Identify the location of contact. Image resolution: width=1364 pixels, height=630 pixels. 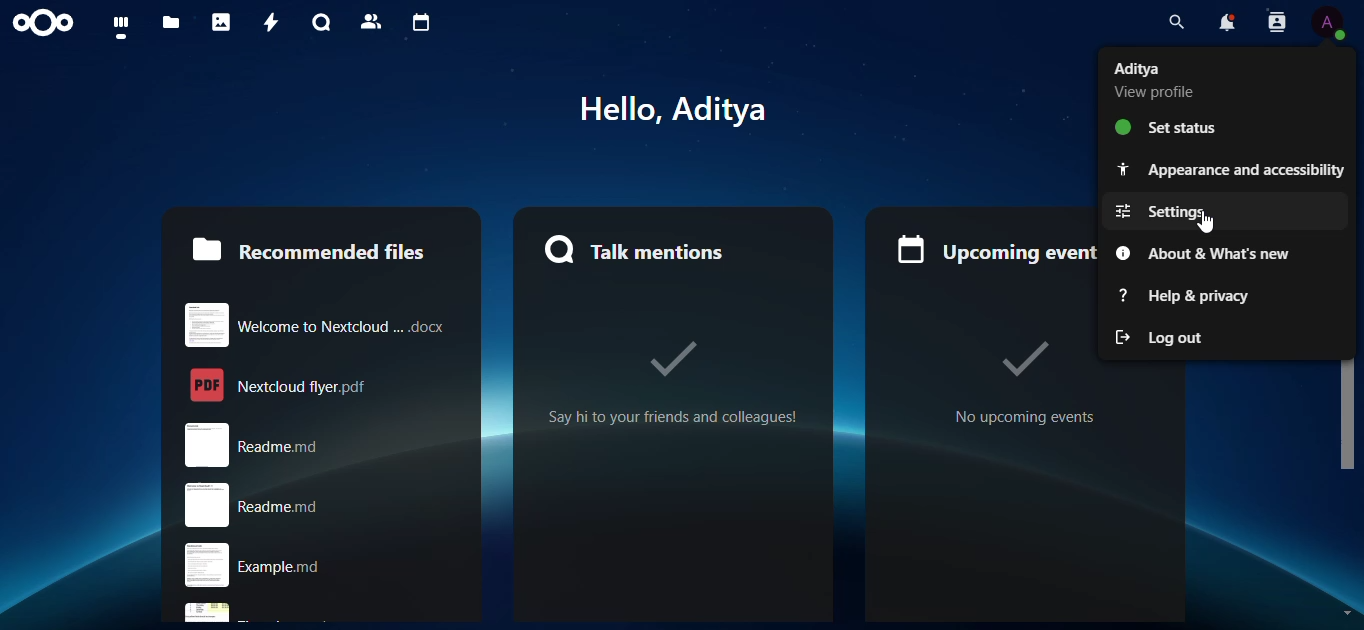
(1275, 24).